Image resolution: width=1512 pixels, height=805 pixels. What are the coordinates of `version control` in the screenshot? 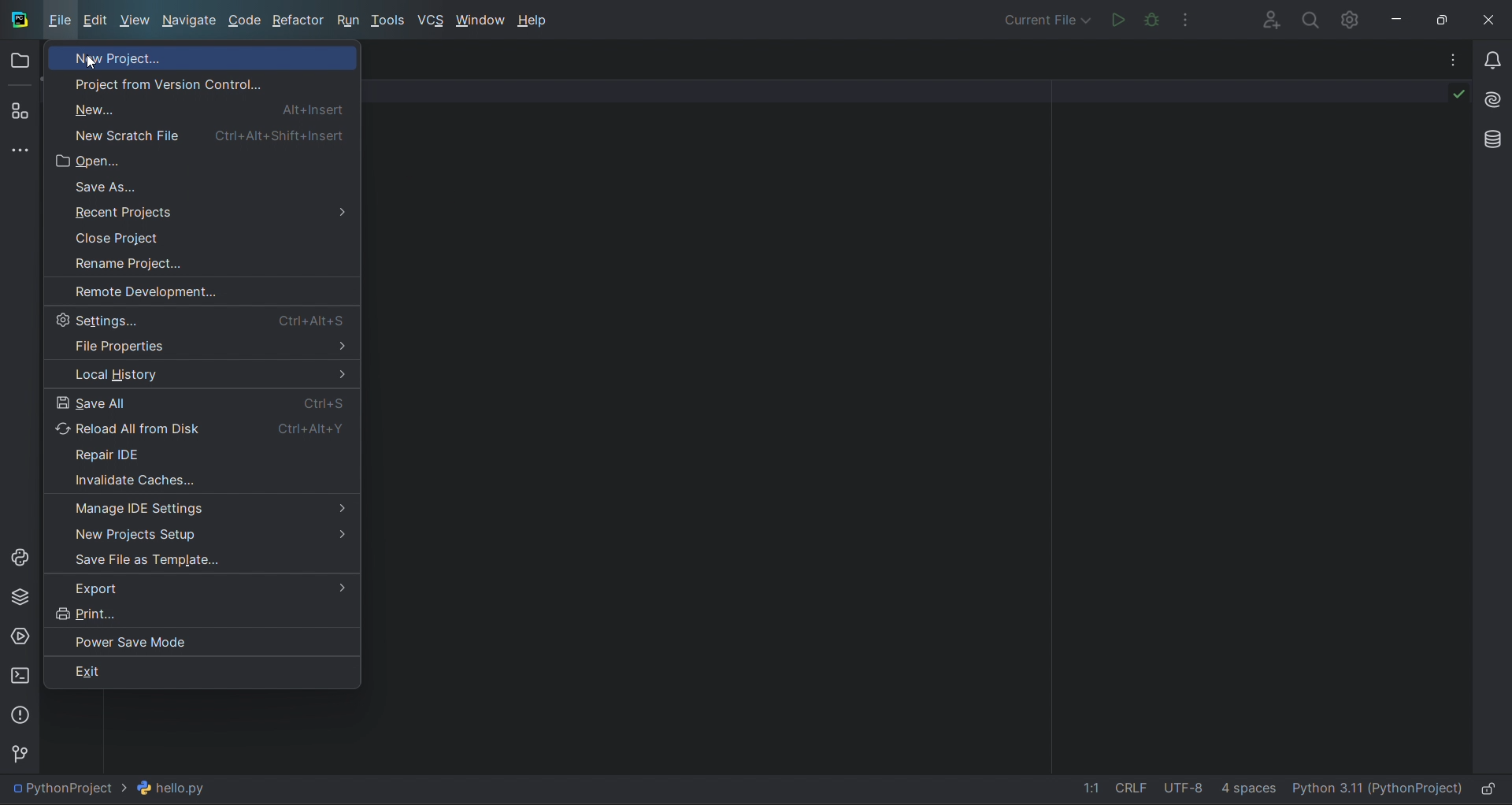 It's located at (24, 752).